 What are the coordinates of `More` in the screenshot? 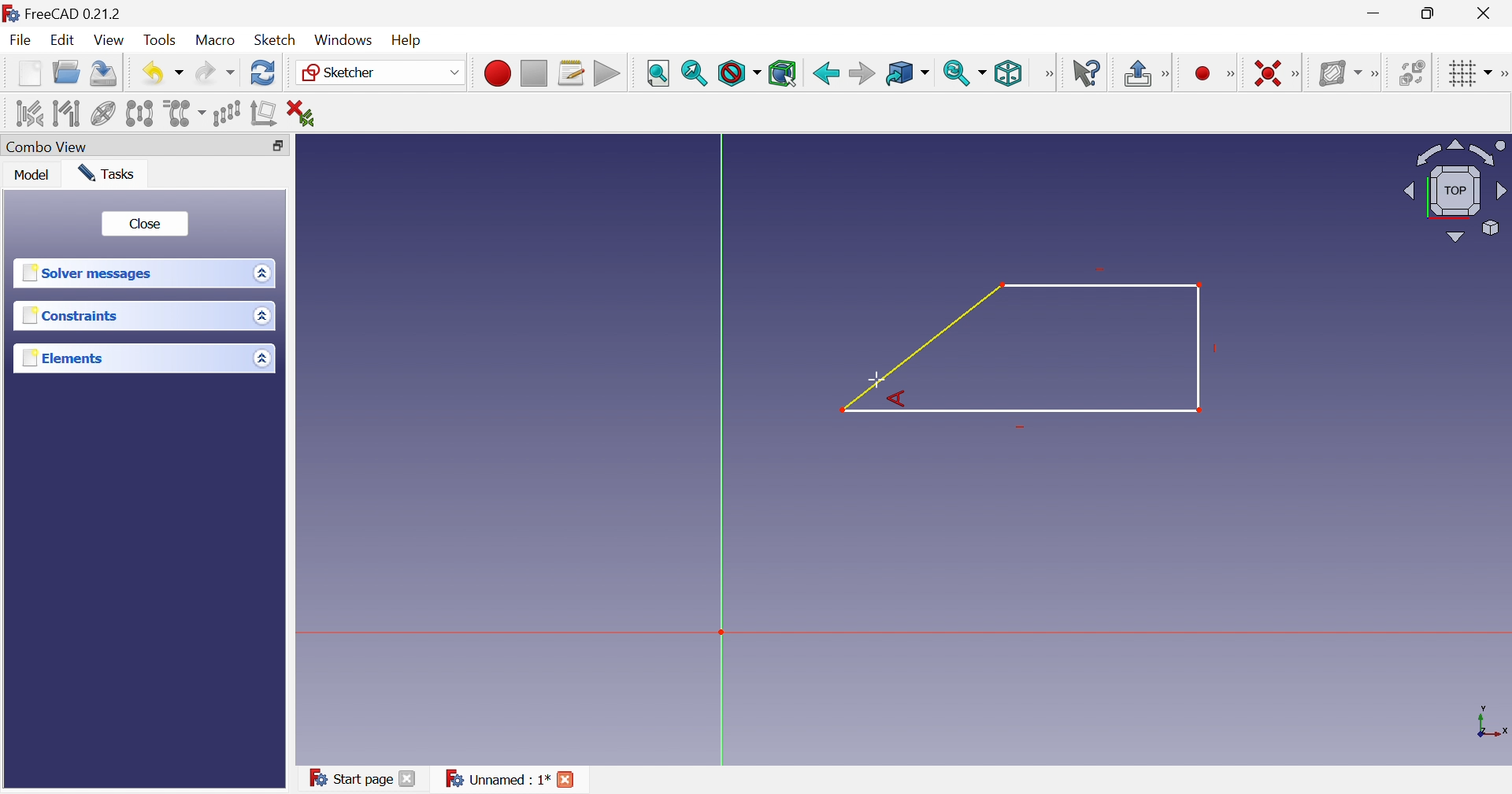 It's located at (1298, 72).